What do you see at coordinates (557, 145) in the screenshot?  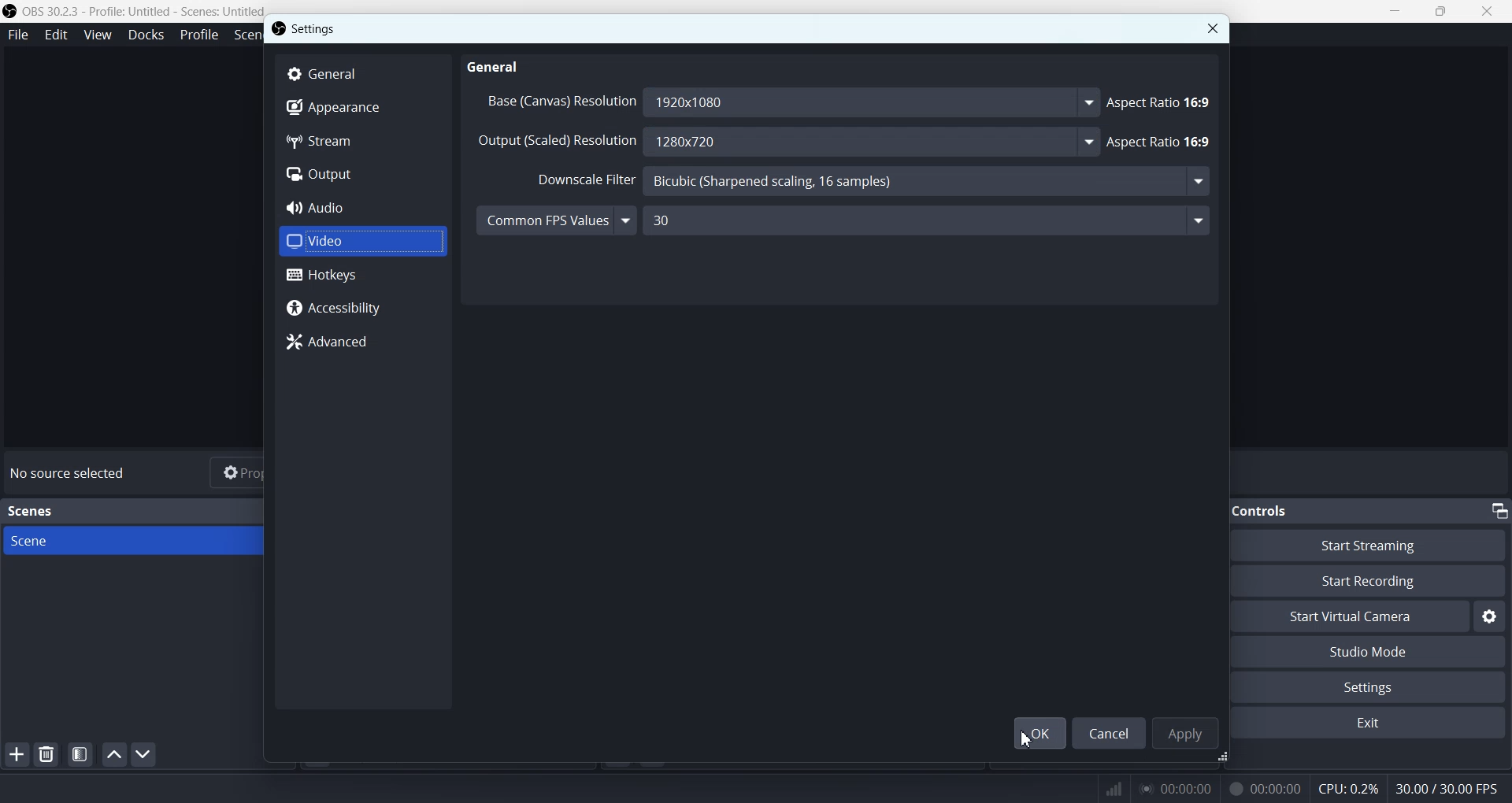 I see `Output(Scaled) resolution` at bounding box center [557, 145].